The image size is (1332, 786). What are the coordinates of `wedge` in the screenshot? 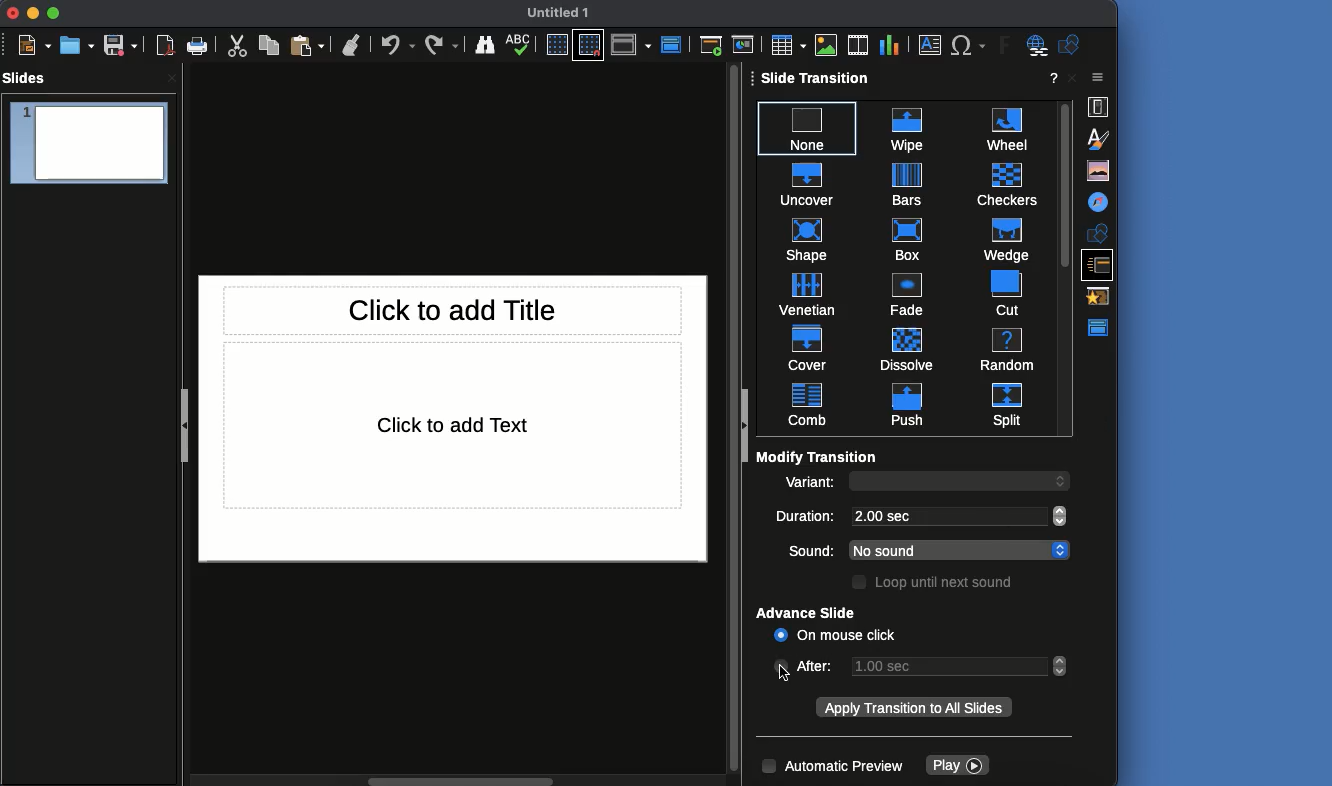 It's located at (1002, 238).